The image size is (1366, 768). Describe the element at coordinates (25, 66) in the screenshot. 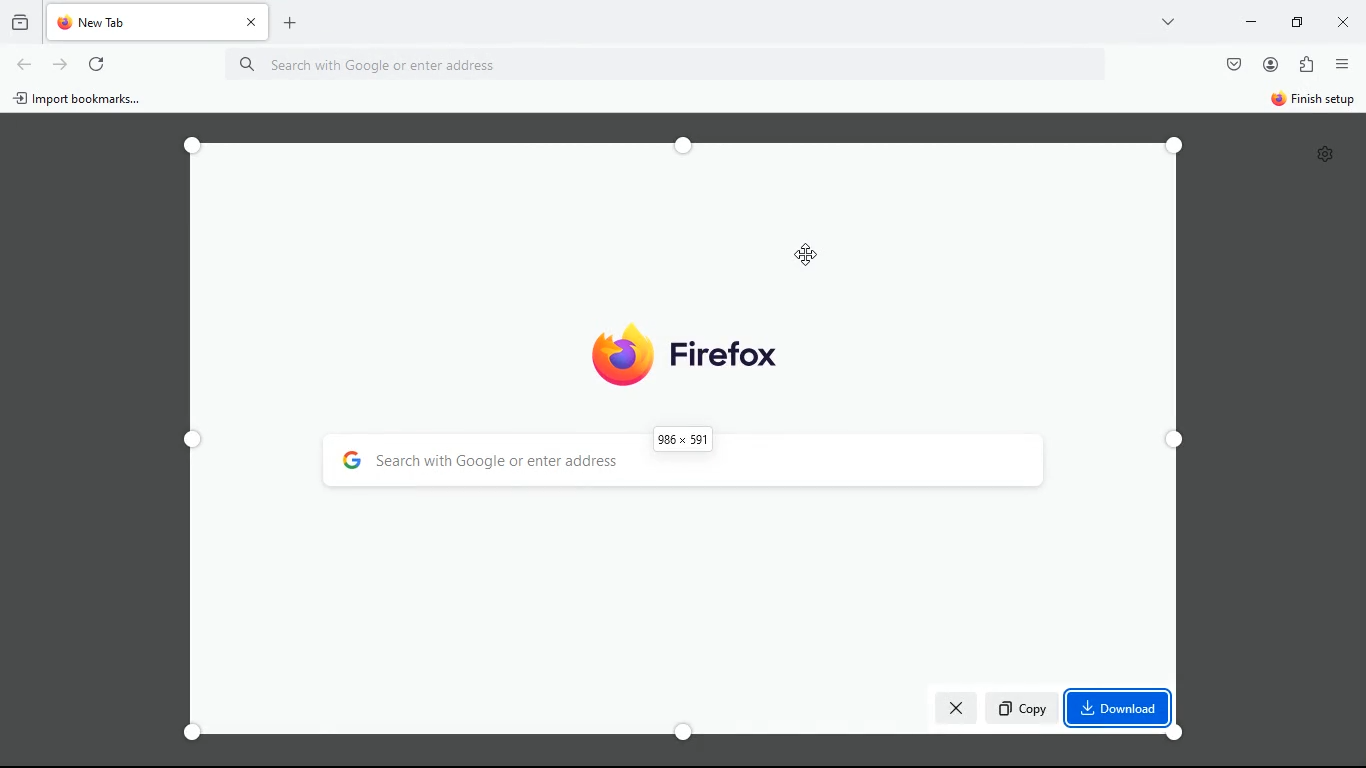

I see `back` at that location.